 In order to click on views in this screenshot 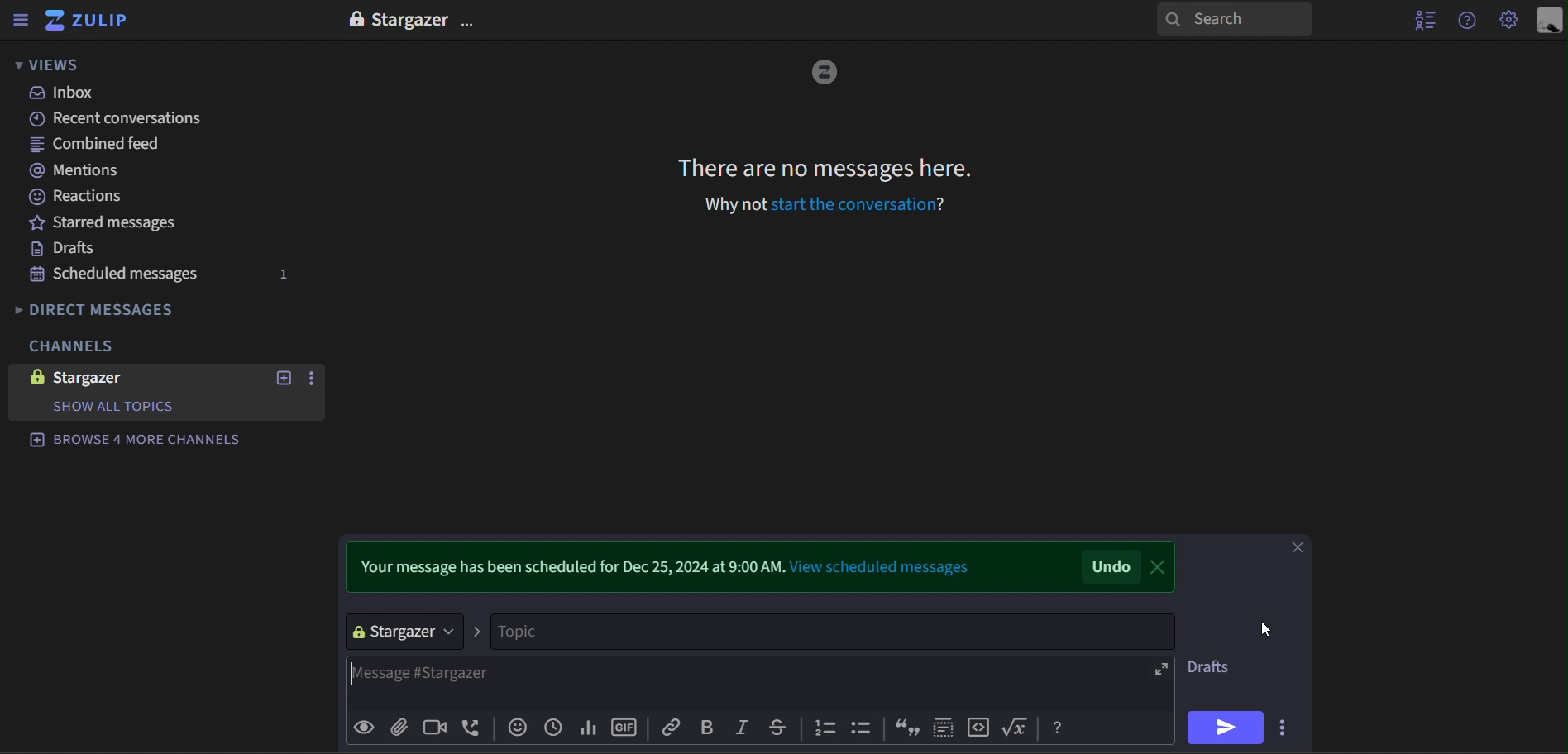, I will do `click(60, 64)`.